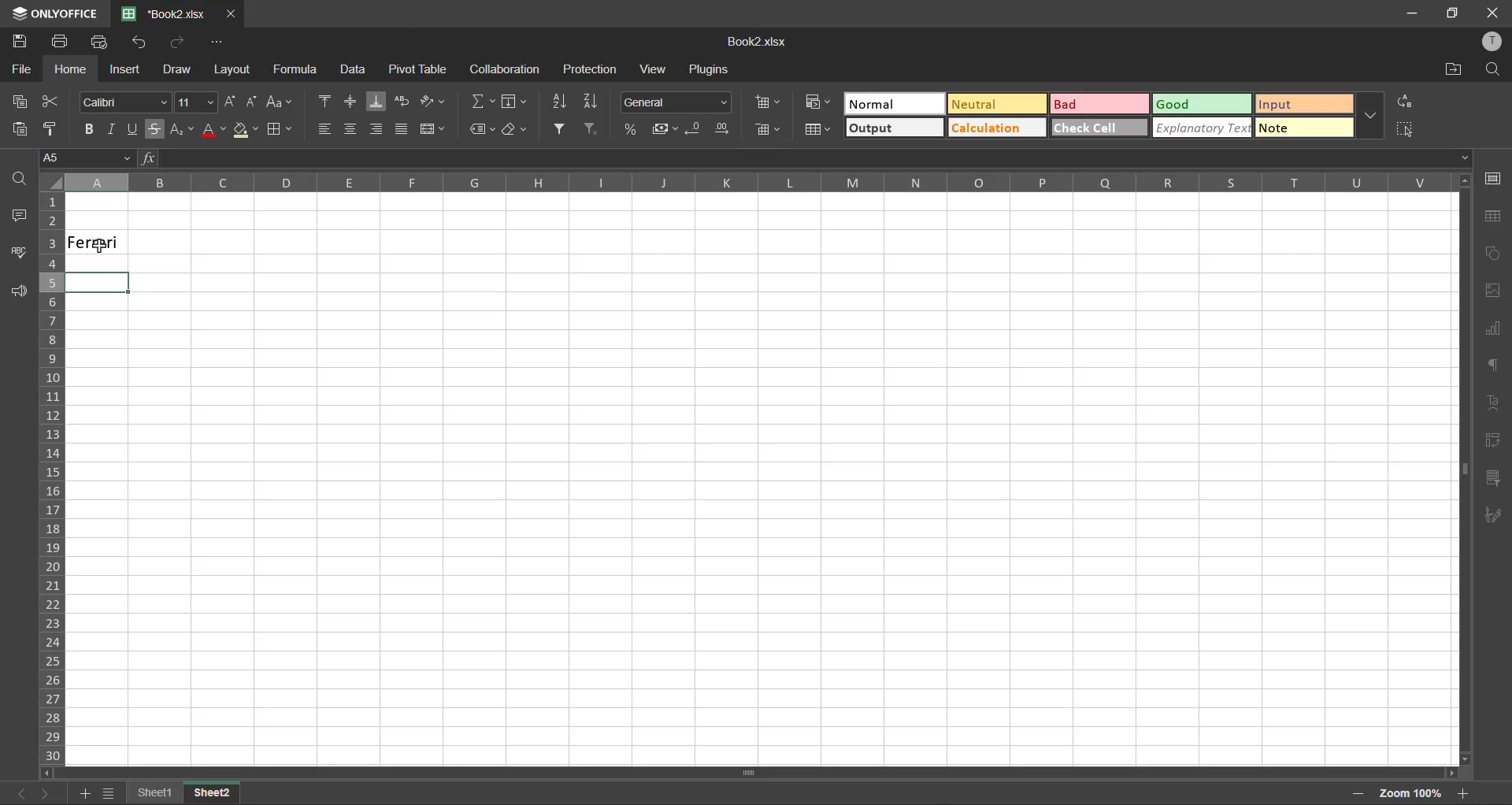 The image size is (1512, 805). What do you see at coordinates (1199, 129) in the screenshot?
I see `explanatory text` at bounding box center [1199, 129].